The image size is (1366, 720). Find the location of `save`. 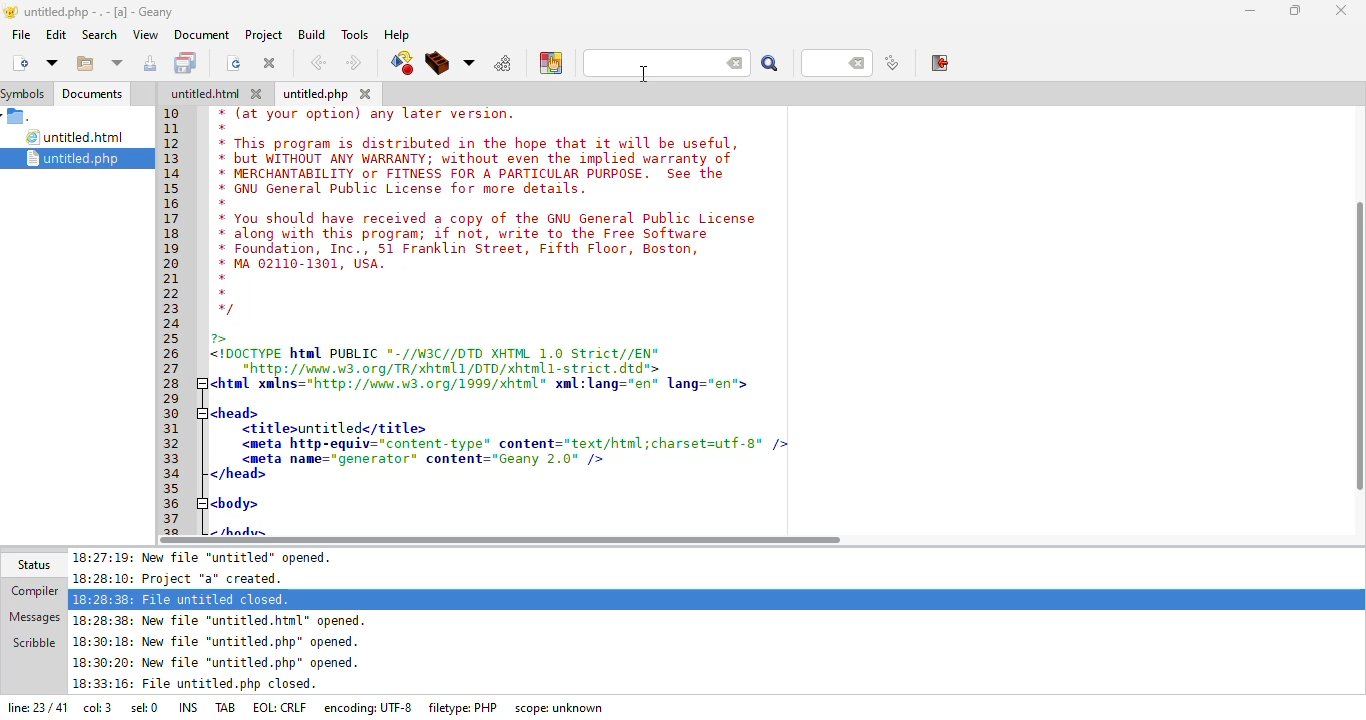

save is located at coordinates (188, 63).